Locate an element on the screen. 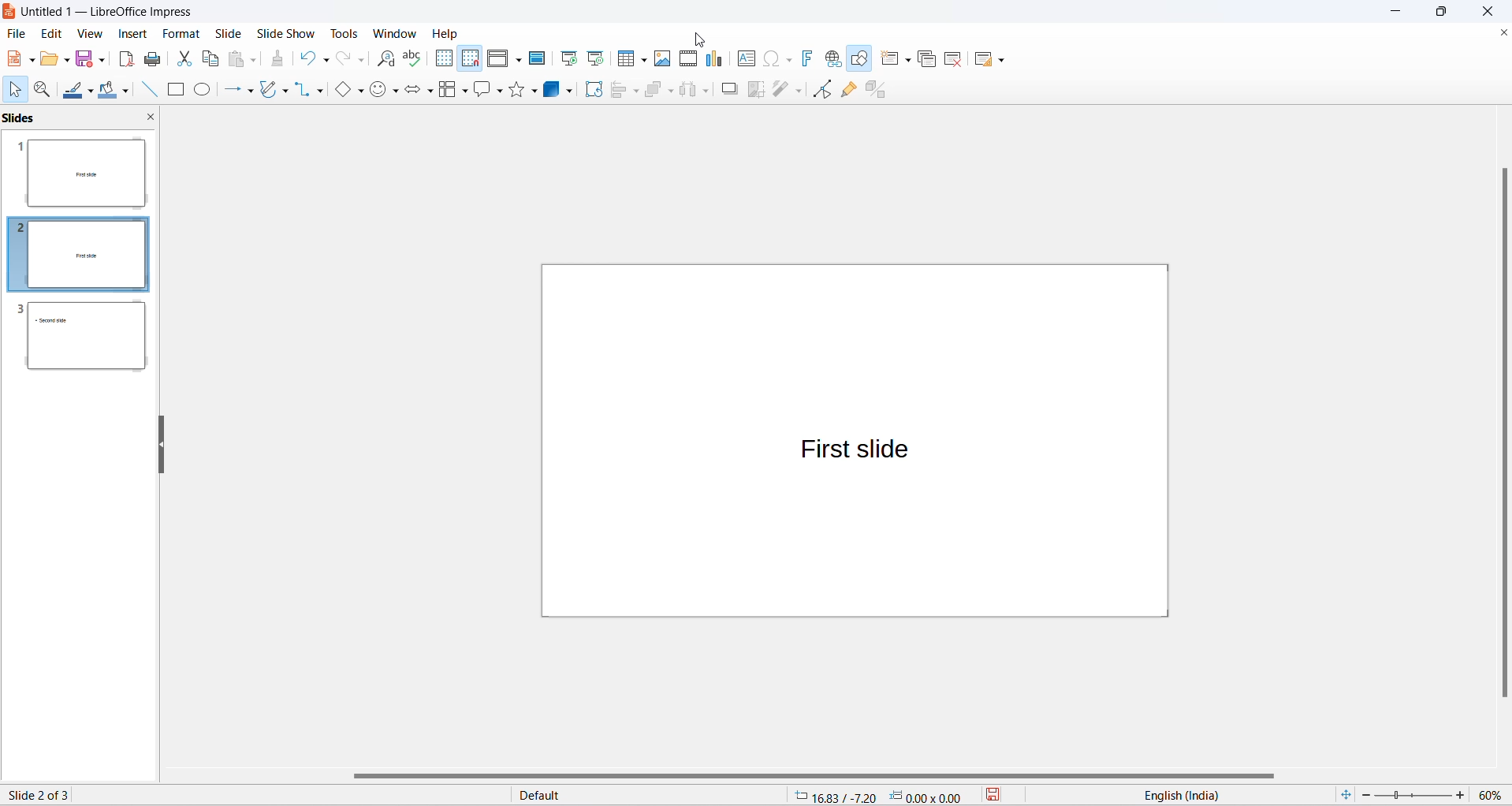 This screenshot has width=1512, height=806. insert charts is located at coordinates (717, 61).